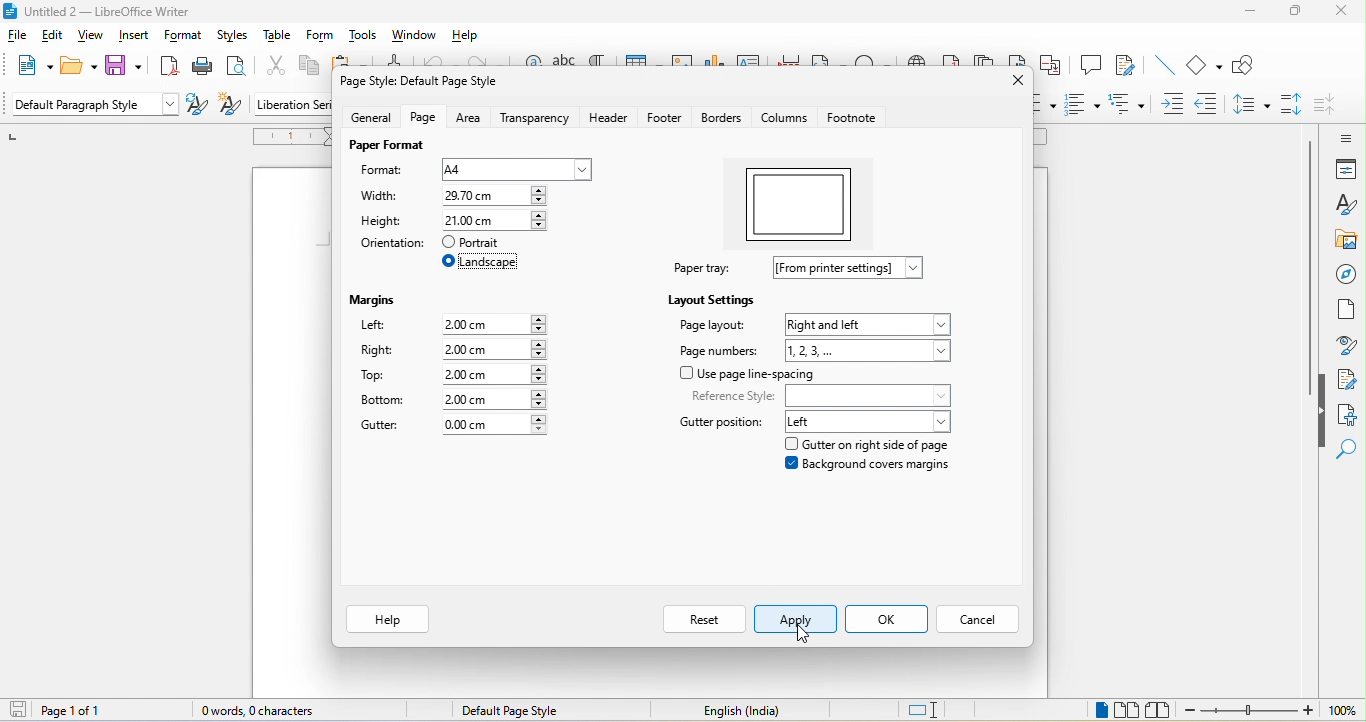 Image resolution: width=1366 pixels, height=722 pixels. Describe the element at coordinates (386, 198) in the screenshot. I see `width` at that location.